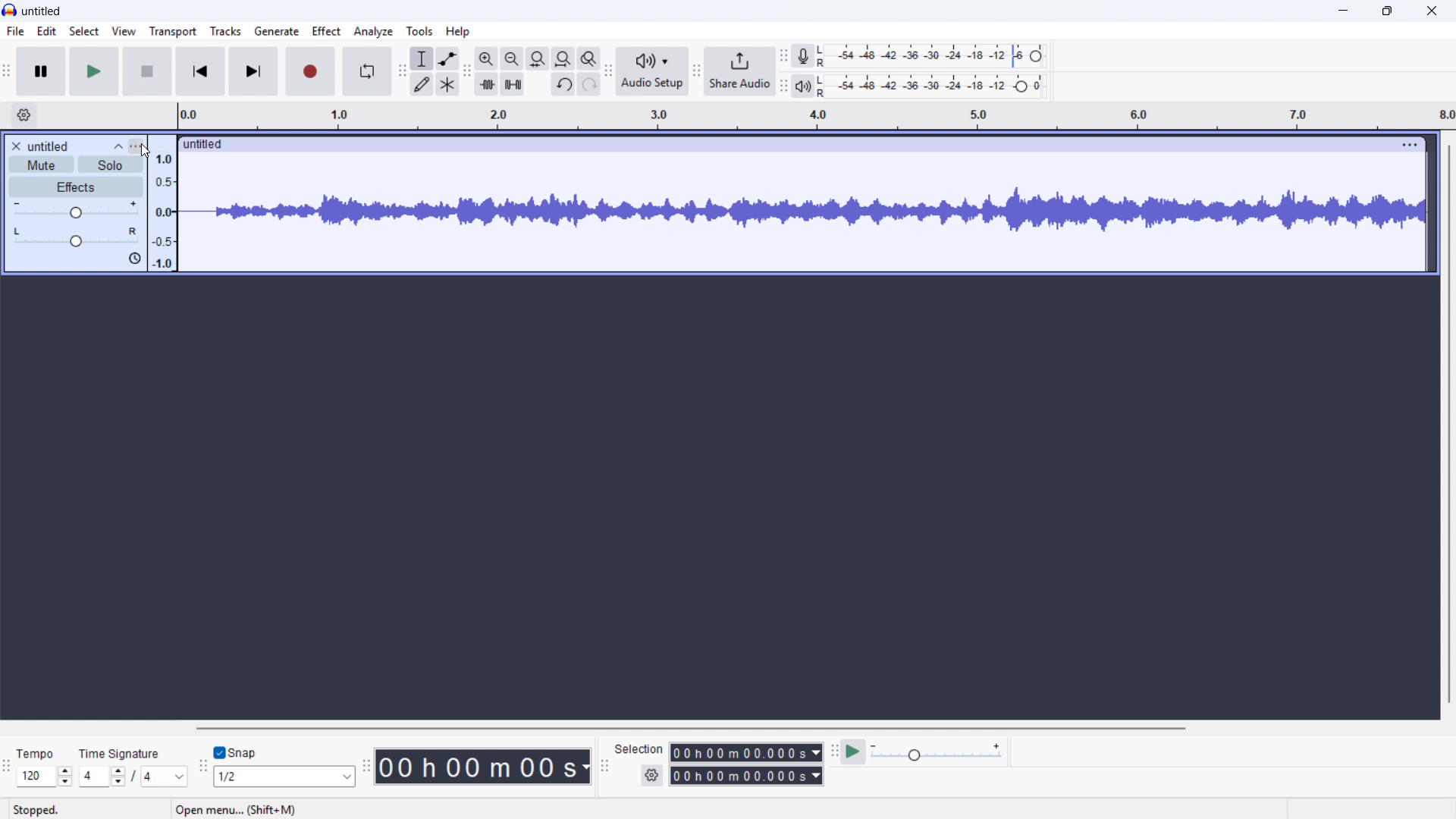 This screenshot has width=1456, height=819. Describe the element at coordinates (695, 73) in the screenshot. I see `Share audio toolbar ` at that location.